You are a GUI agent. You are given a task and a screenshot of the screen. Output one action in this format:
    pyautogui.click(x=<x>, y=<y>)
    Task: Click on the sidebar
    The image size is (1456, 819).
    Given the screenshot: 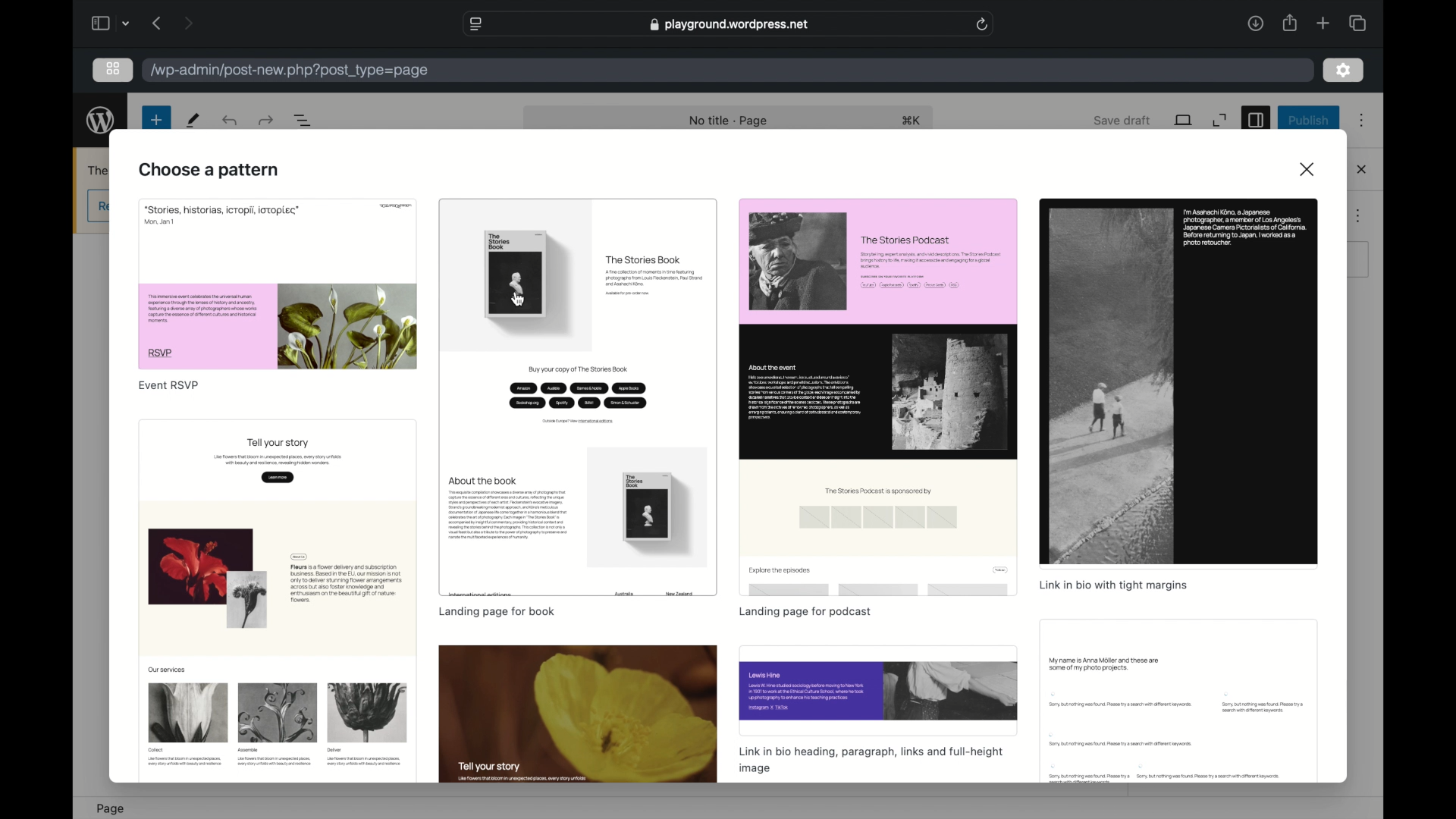 What is the action you would take?
    pyautogui.click(x=1256, y=121)
    